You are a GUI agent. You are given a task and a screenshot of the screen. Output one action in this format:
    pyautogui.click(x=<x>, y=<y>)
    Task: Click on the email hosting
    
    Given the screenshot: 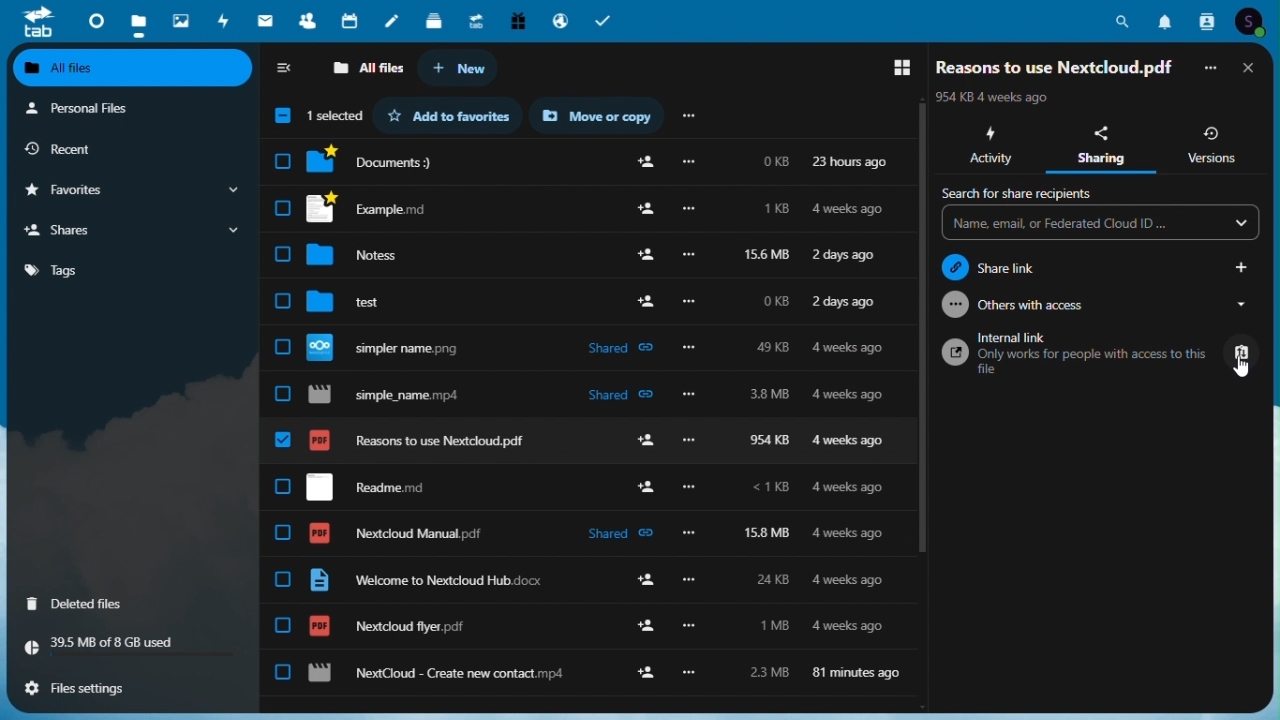 What is the action you would take?
    pyautogui.click(x=562, y=21)
    